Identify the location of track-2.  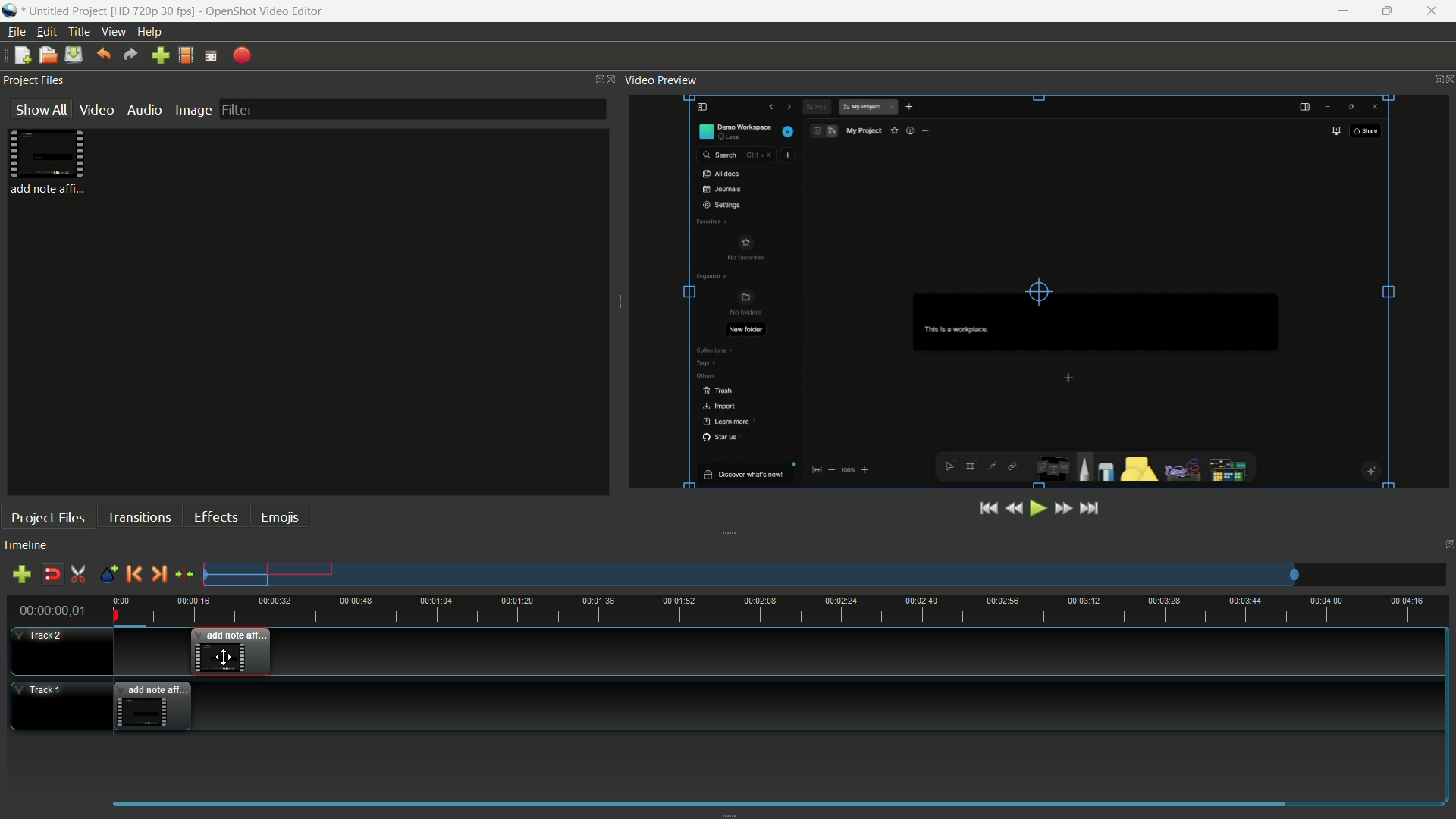
(58, 650).